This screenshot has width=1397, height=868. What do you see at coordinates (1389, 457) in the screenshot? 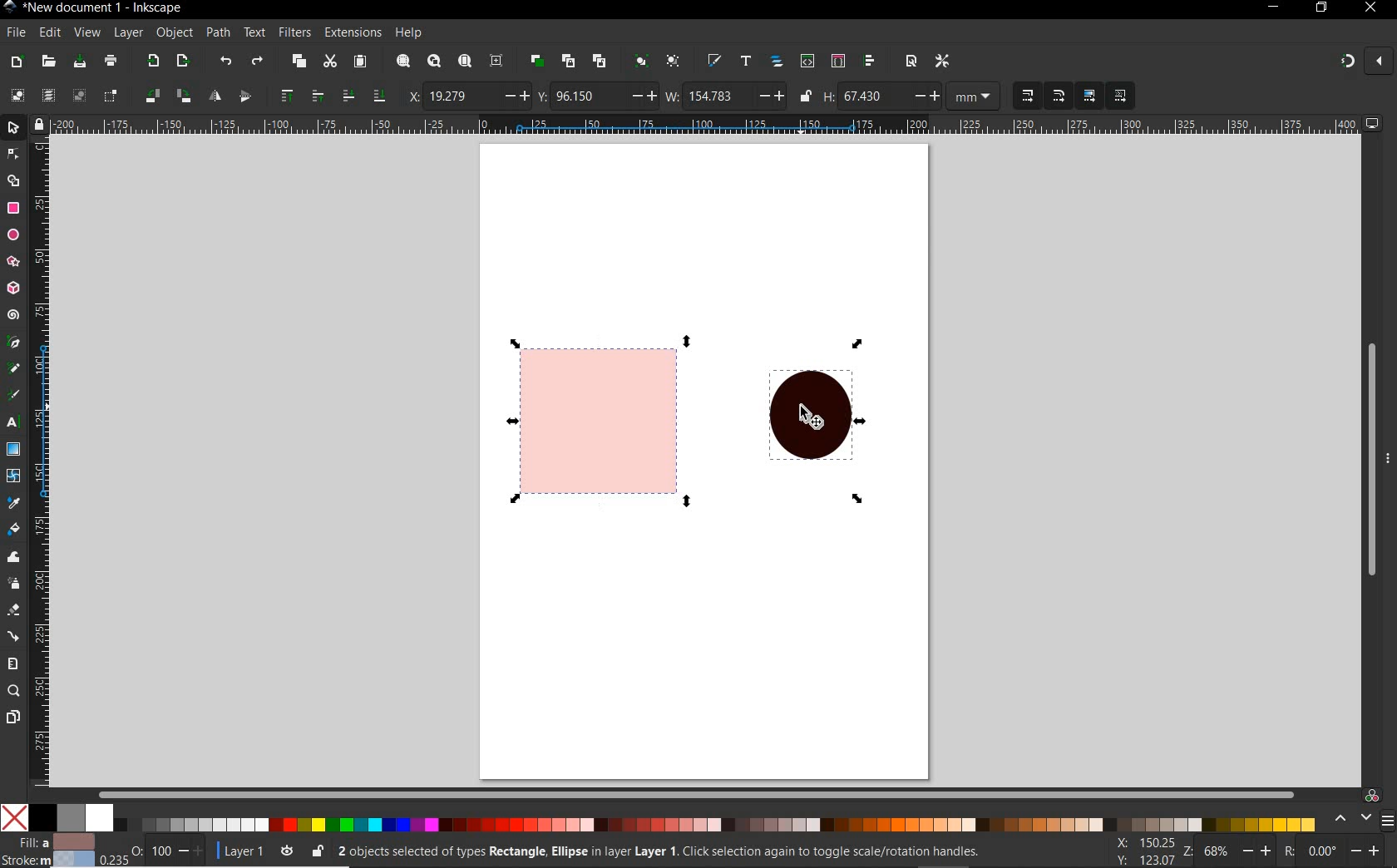
I see `hide` at bounding box center [1389, 457].